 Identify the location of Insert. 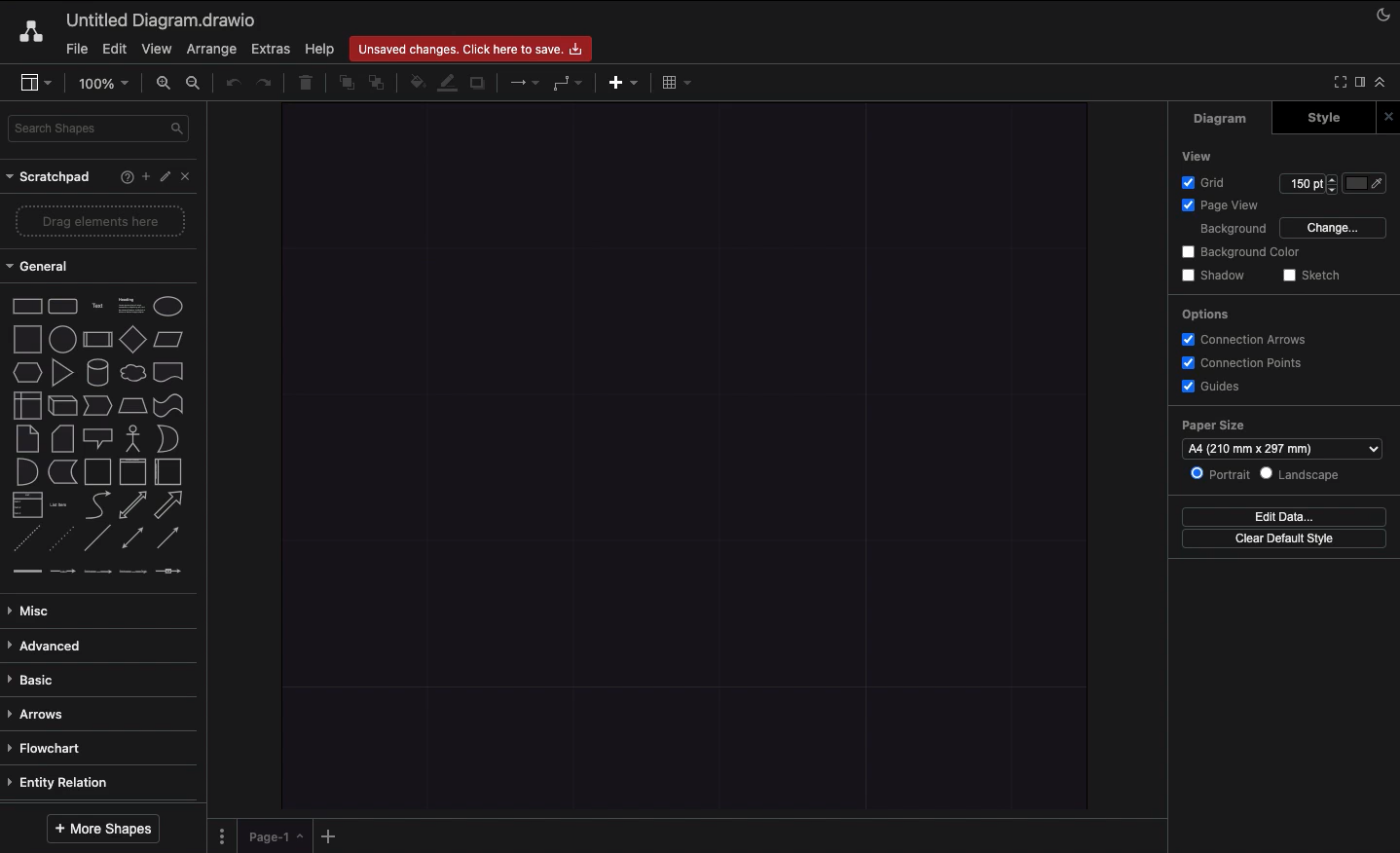
(623, 84).